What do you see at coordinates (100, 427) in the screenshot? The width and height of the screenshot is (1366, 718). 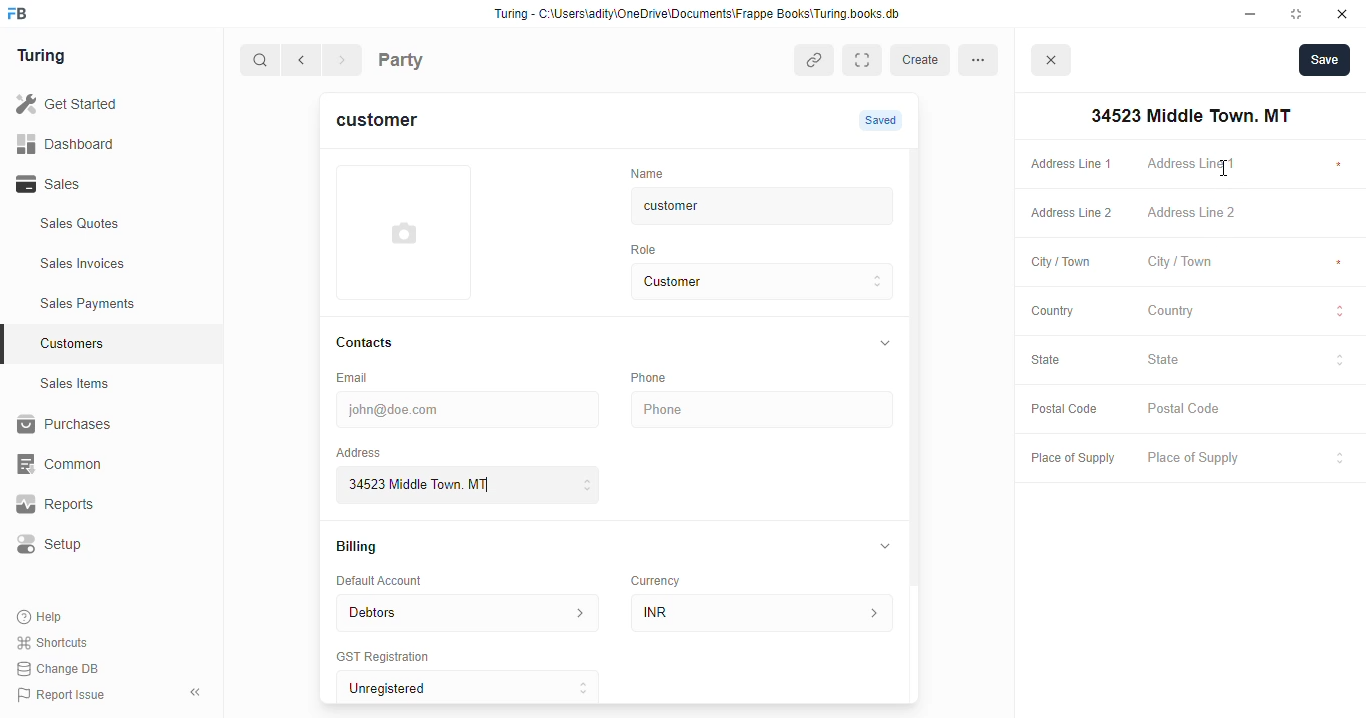 I see `Purchases` at bounding box center [100, 427].